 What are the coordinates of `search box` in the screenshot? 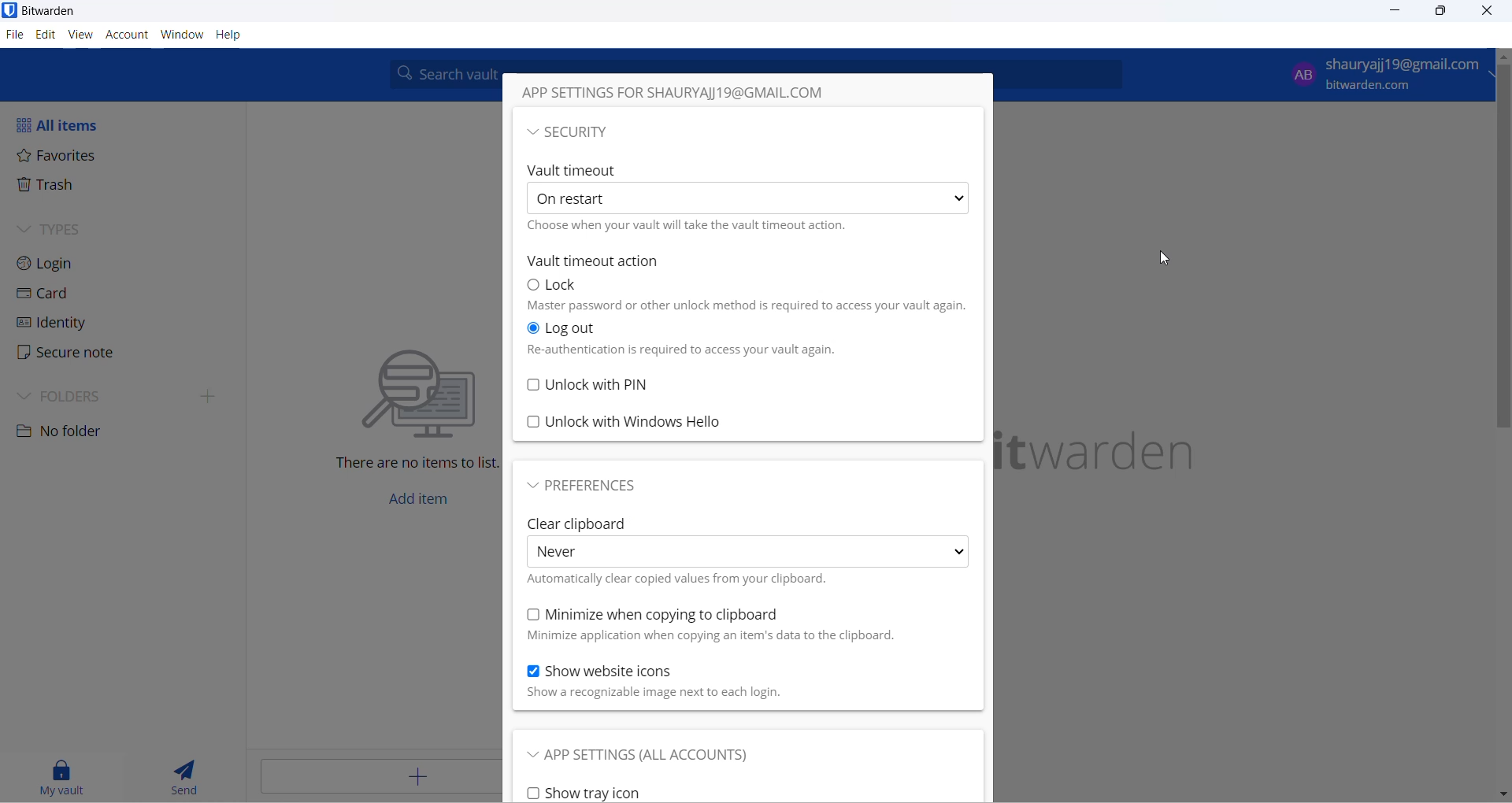 It's located at (441, 74).